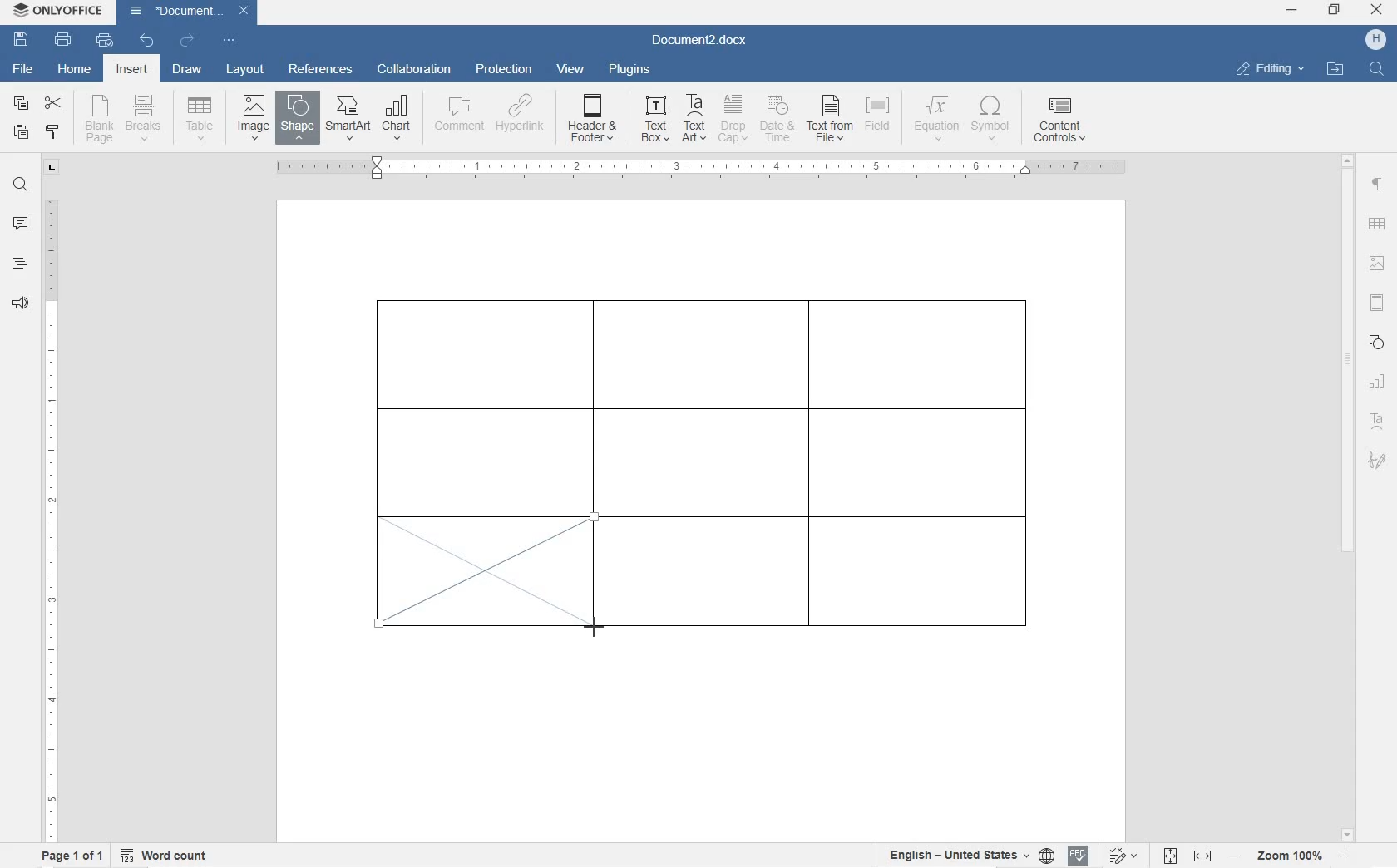 The height and width of the screenshot is (868, 1397). What do you see at coordinates (70, 856) in the screenshot?
I see `page 1 of 1` at bounding box center [70, 856].